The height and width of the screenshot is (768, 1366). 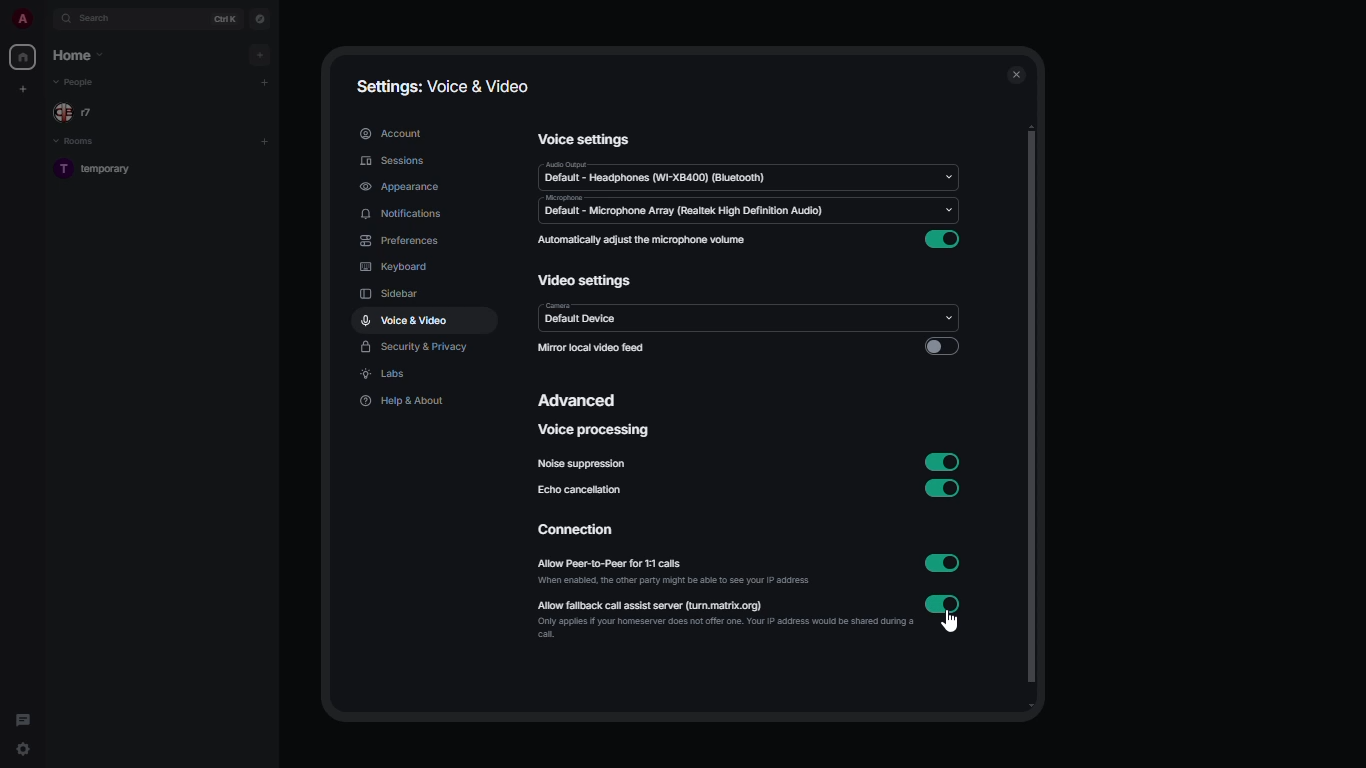 I want to click on camera default, so click(x=584, y=319).